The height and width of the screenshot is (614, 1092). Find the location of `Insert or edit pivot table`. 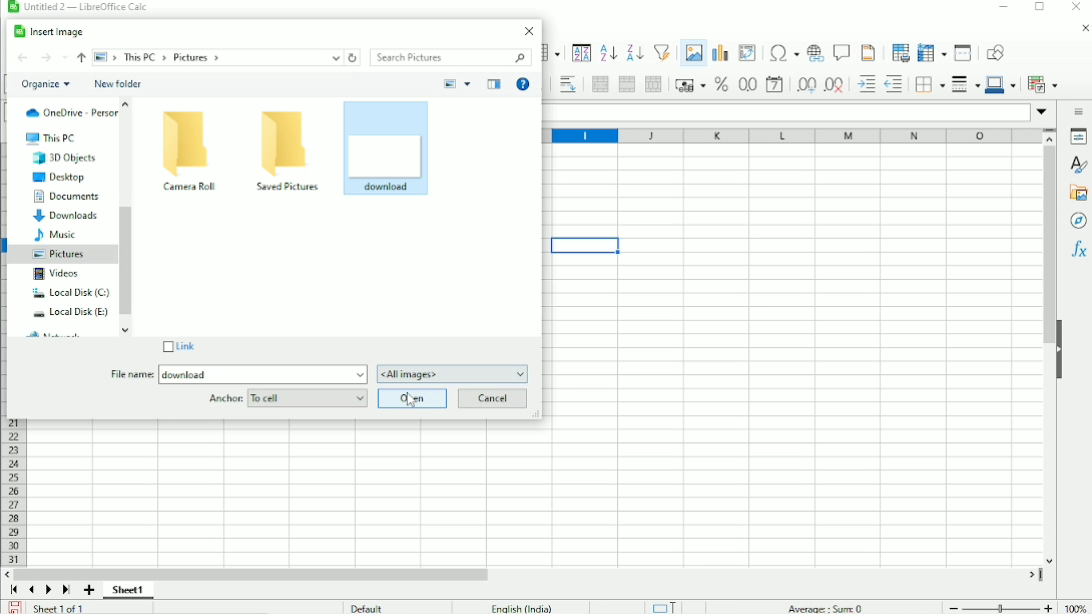

Insert or edit pivot table is located at coordinates (747, 52).